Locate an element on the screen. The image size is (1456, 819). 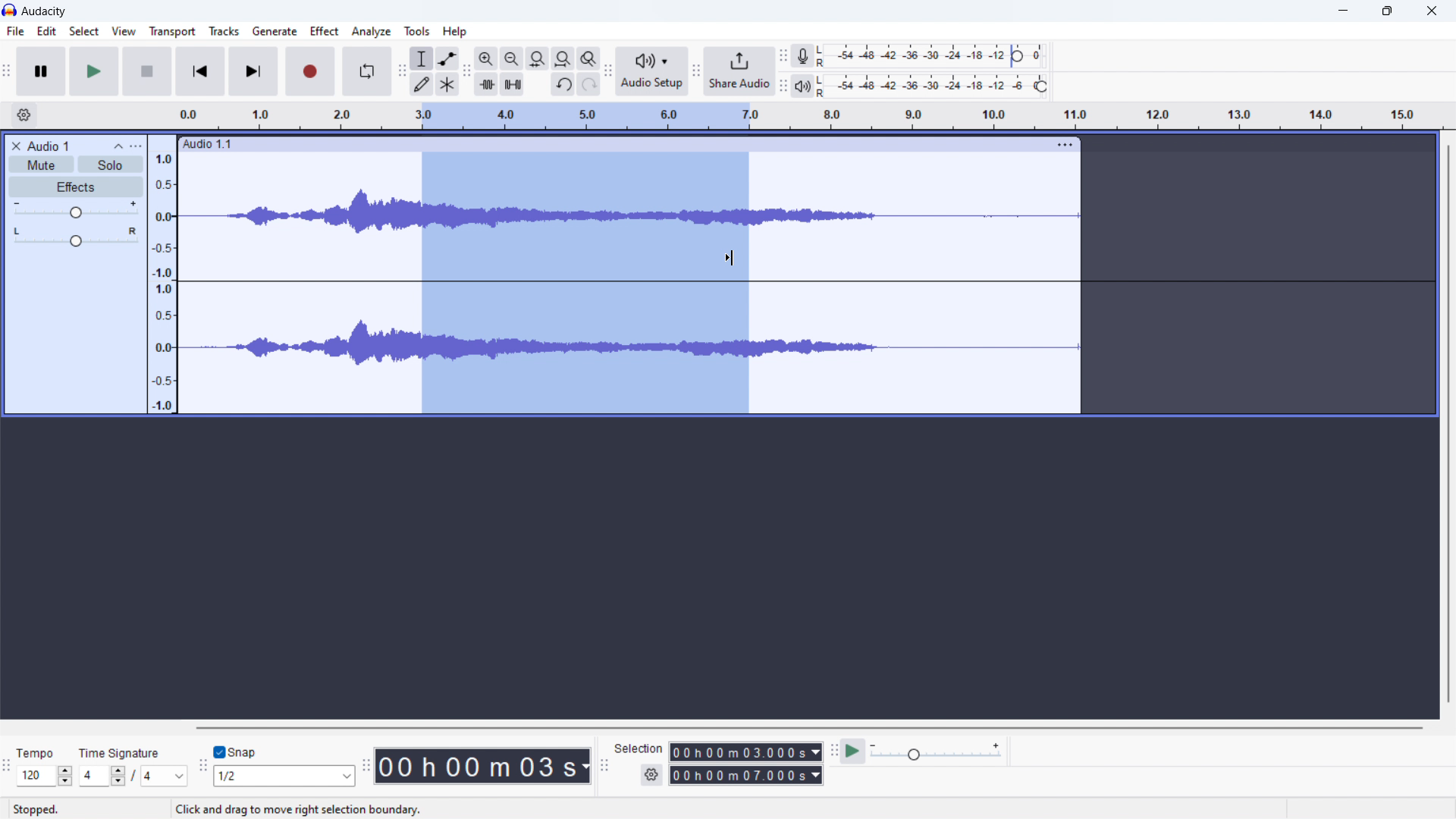
multi tool is located at coordinates (447, 83).